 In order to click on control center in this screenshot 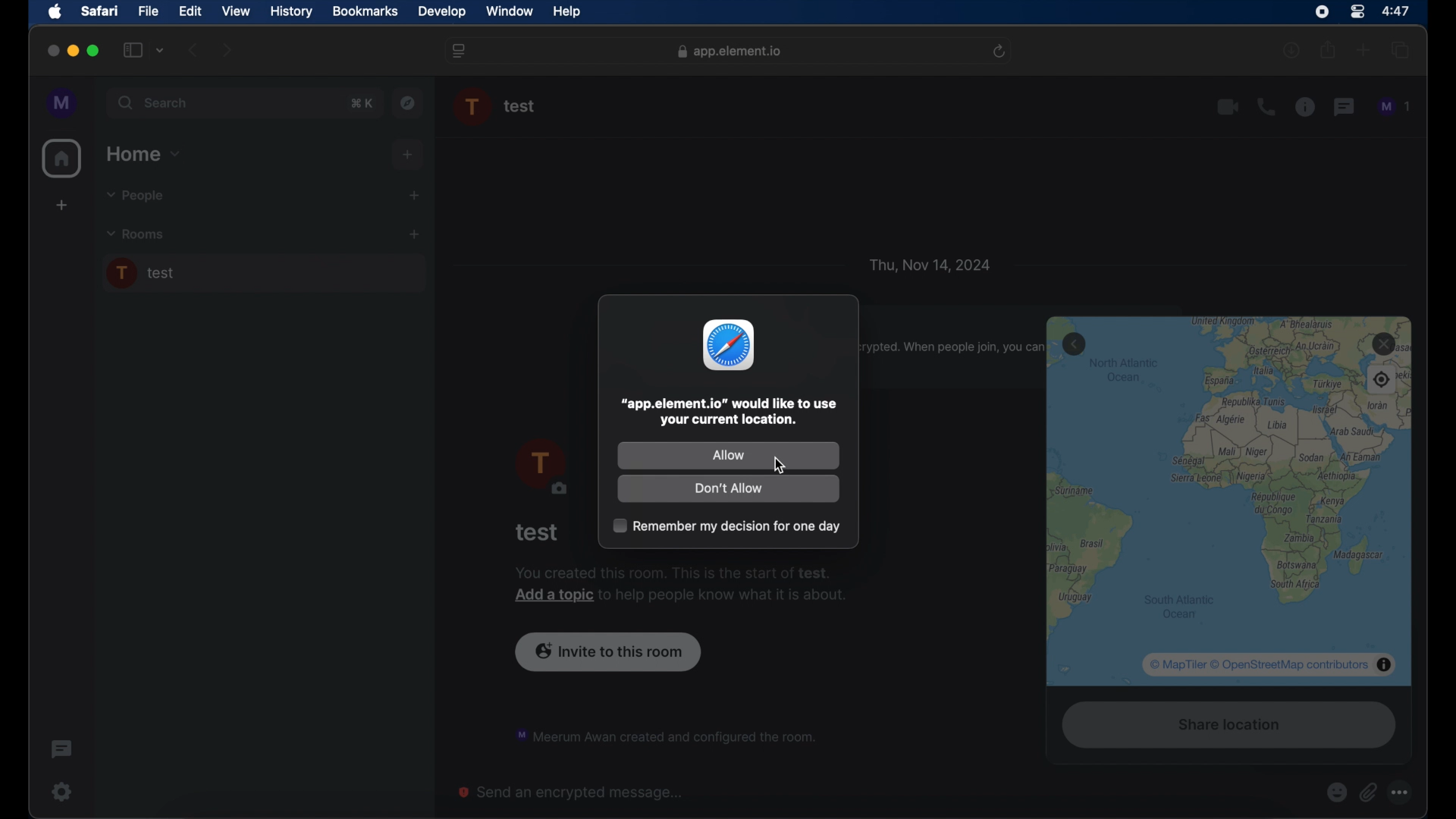, I will do `click(1356, 11)`.